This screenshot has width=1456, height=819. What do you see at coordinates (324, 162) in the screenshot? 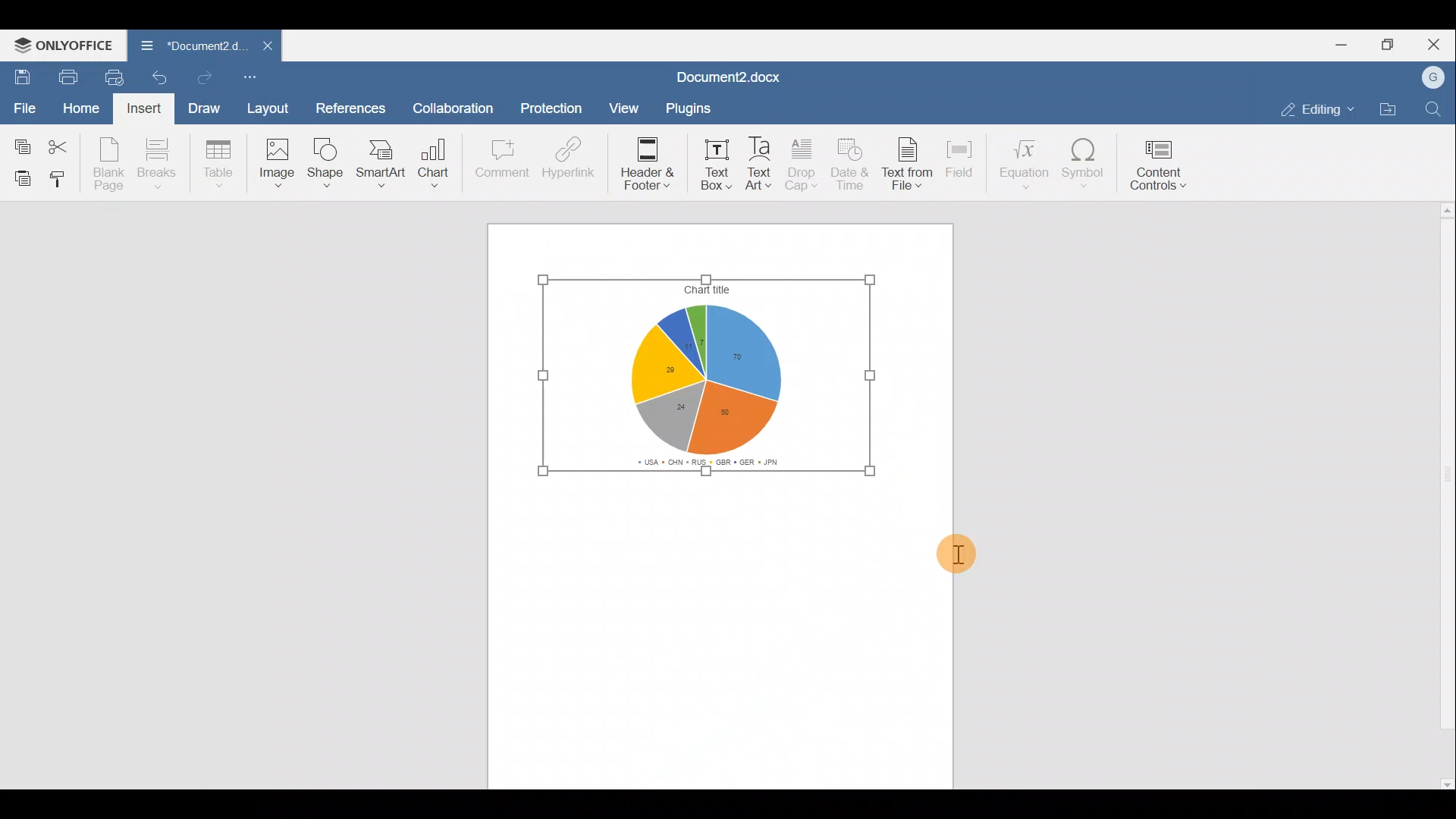
I see `Shape` at bounding box center [324, 162].